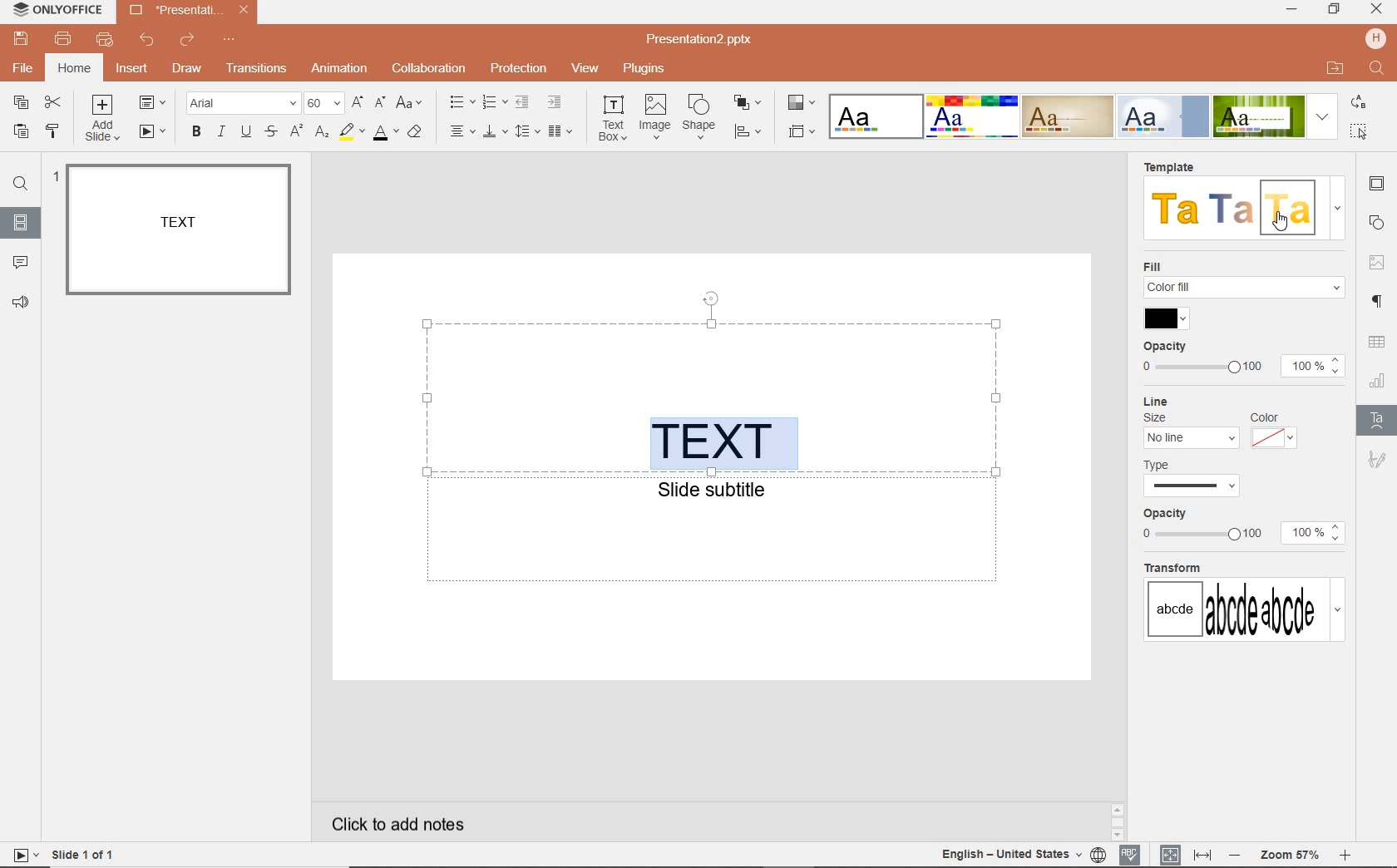  What do you see at coordinates (104, 41) in the screenshot?
I see `QUICK PRINT` at bounding box center [104, 41].